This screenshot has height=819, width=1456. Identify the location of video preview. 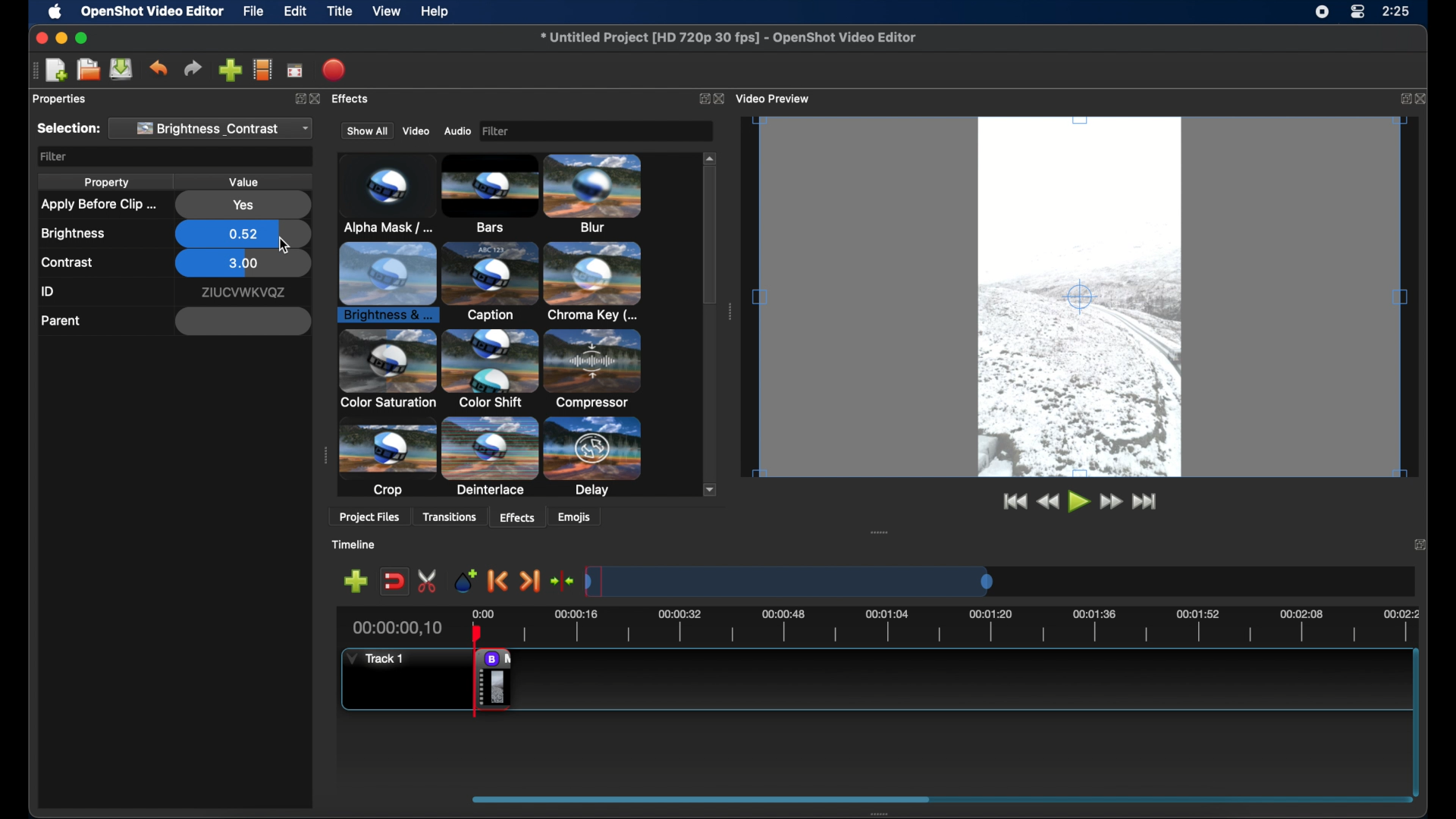
(1085, 304).